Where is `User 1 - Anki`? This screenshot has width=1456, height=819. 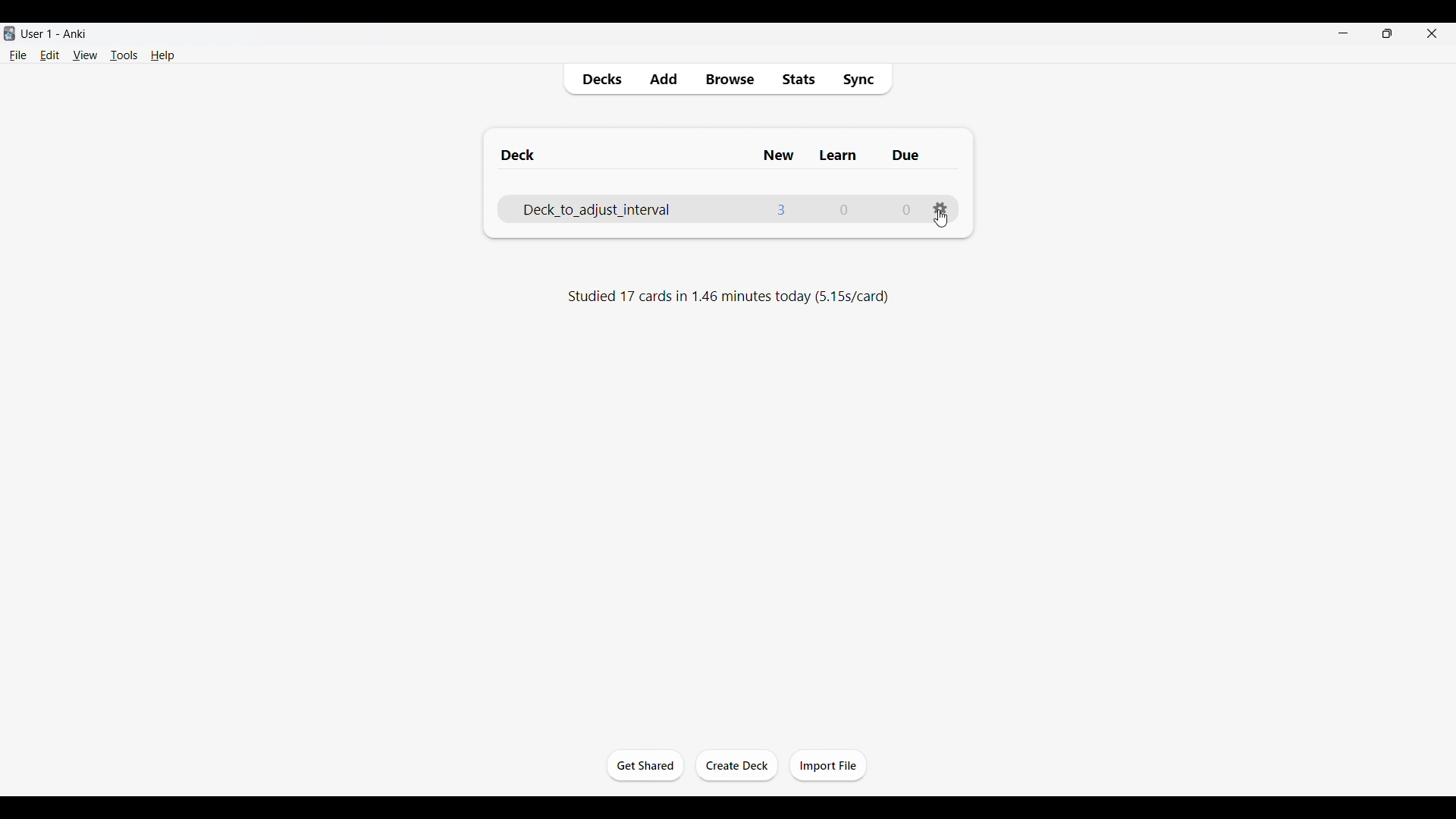
User 1 - Anki is located at coordinates (56, 33).